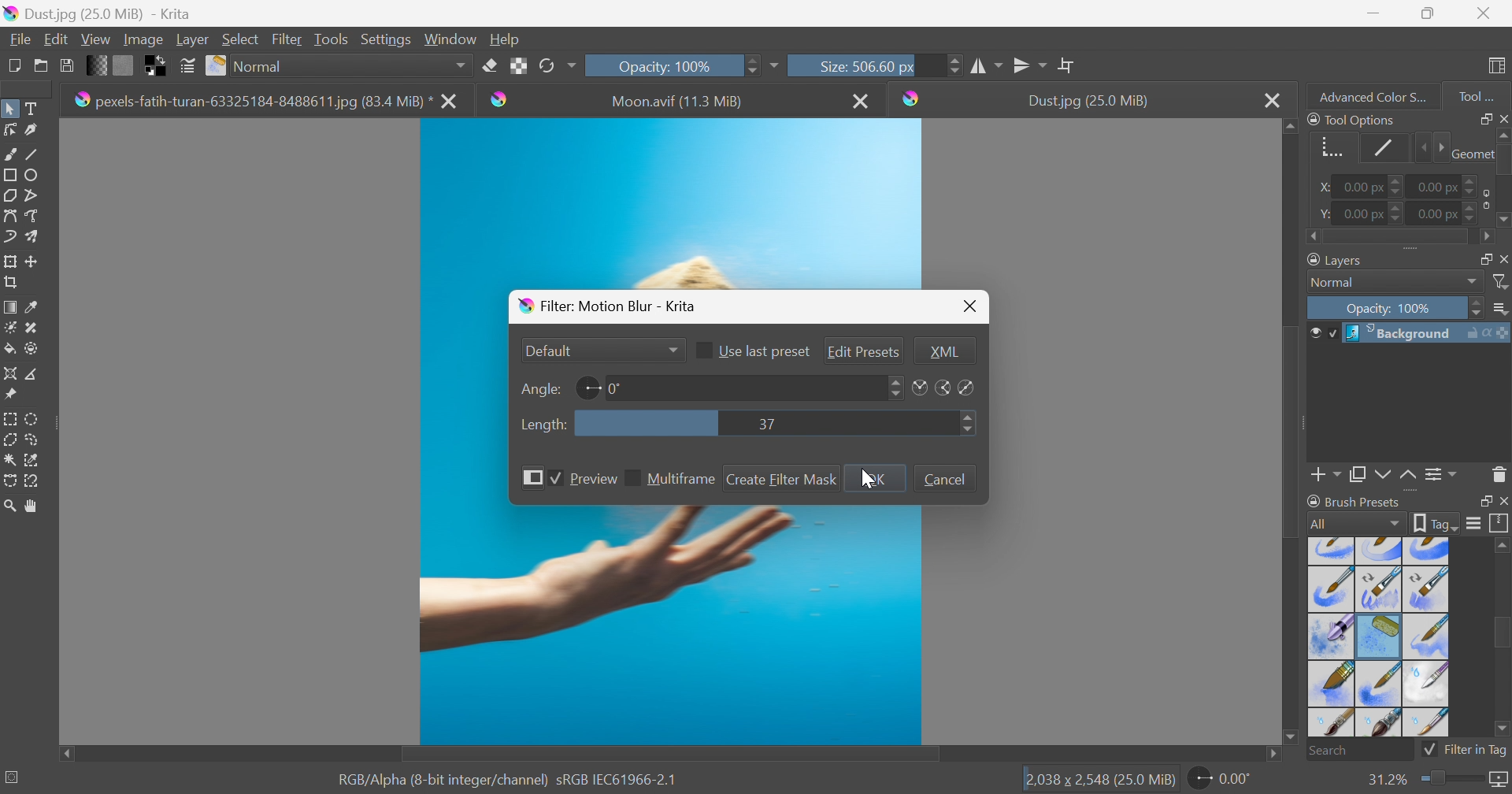 This screenshot has height=794, width=1512. Describe the element at coordinates (1483, 118) in the screenshot. I see `Float Docker` at that location.